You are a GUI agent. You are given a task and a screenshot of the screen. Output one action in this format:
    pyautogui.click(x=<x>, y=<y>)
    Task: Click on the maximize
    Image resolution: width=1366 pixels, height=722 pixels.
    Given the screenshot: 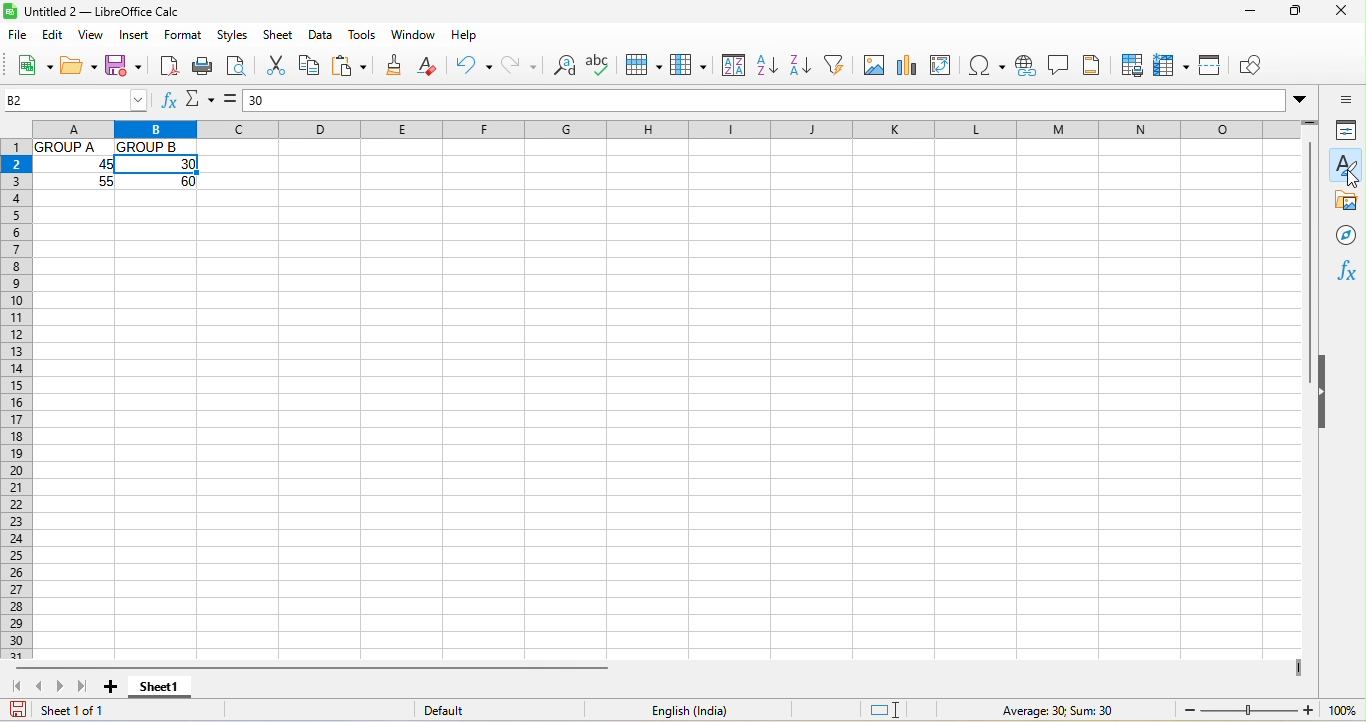 What is the action you would take?
    pyautogui.click(x=1294, y=12)
    